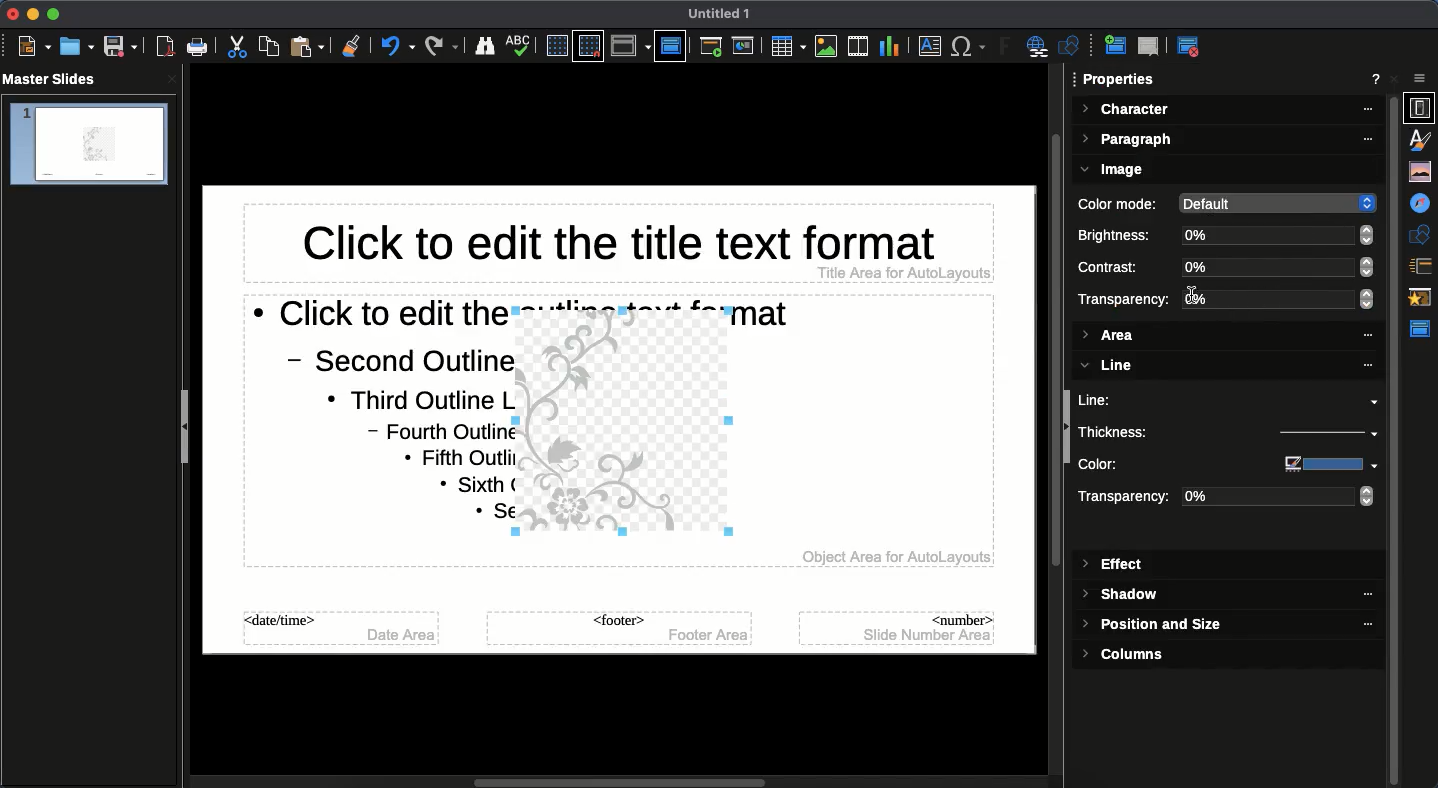 The image size is (1438, 788). I want to click on horizontal Scroll bar, so click(624, 779).